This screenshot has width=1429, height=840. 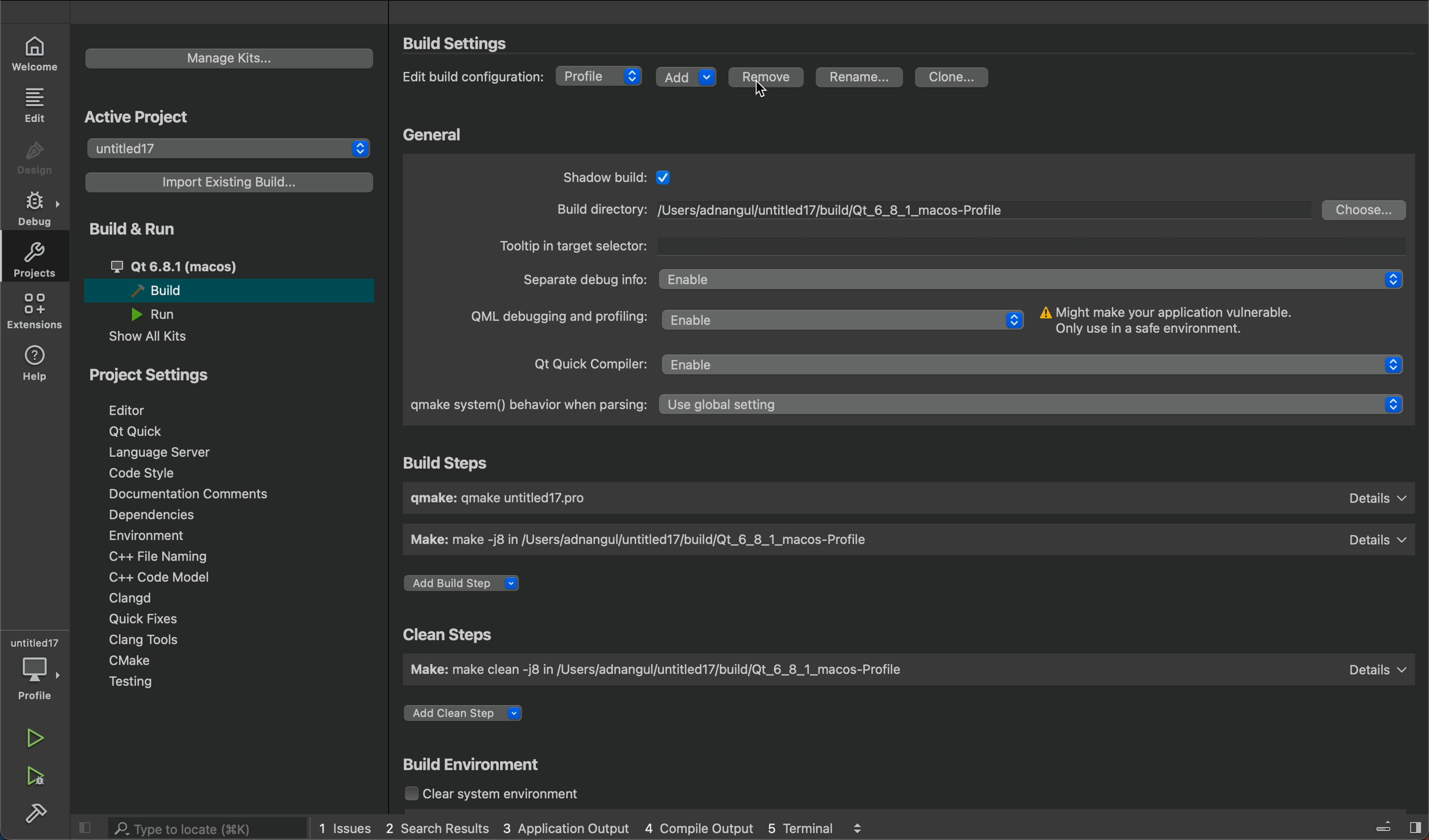 I want to click on qt 6.81, so click(x=203, y=266).